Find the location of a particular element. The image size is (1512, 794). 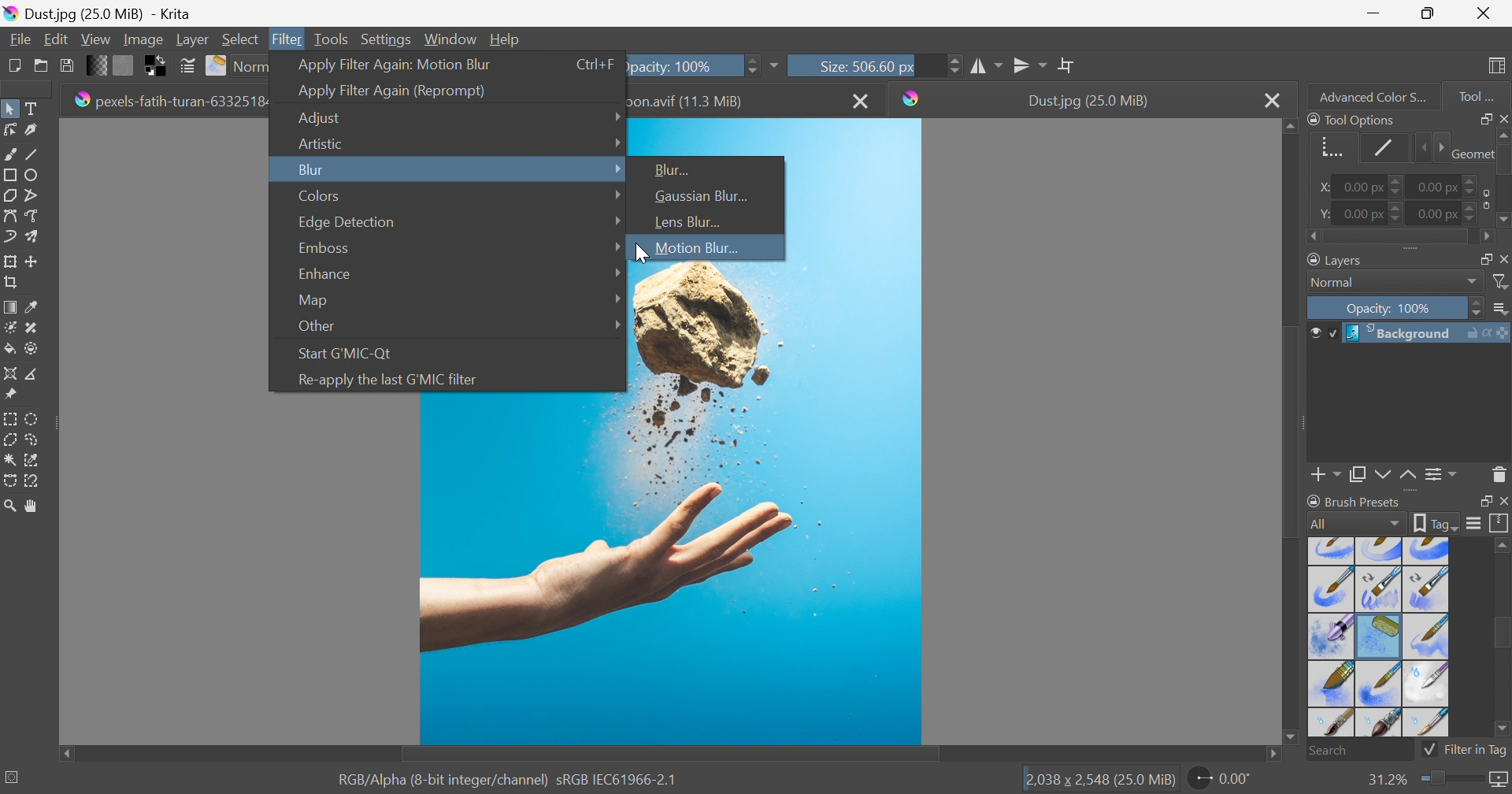

Fill a contiguous area of color with a color or a fill selection is located at coordinates (10, 350).